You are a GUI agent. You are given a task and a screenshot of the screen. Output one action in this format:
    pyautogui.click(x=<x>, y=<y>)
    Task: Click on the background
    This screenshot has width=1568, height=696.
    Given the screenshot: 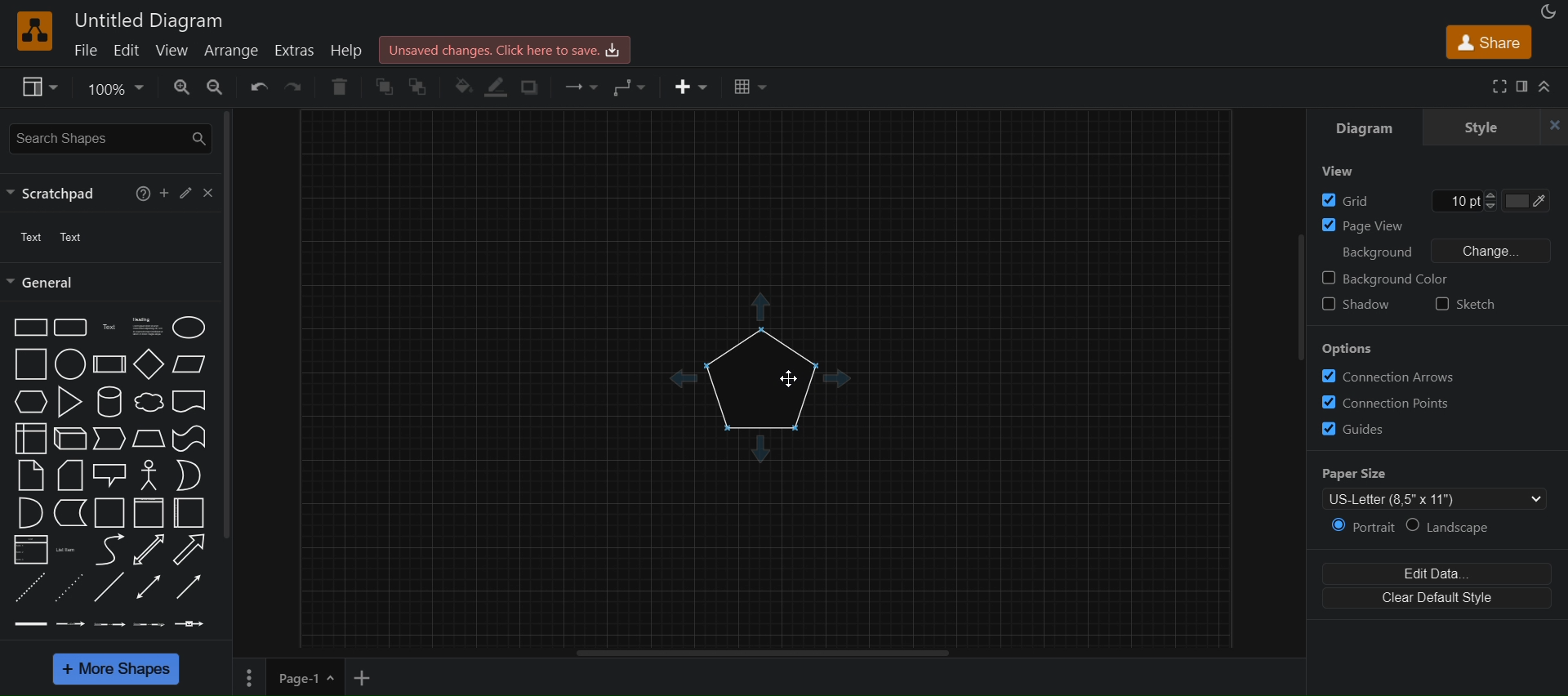 What is the action you would take?
    pyautogui.click(x=1378, y=252)
    